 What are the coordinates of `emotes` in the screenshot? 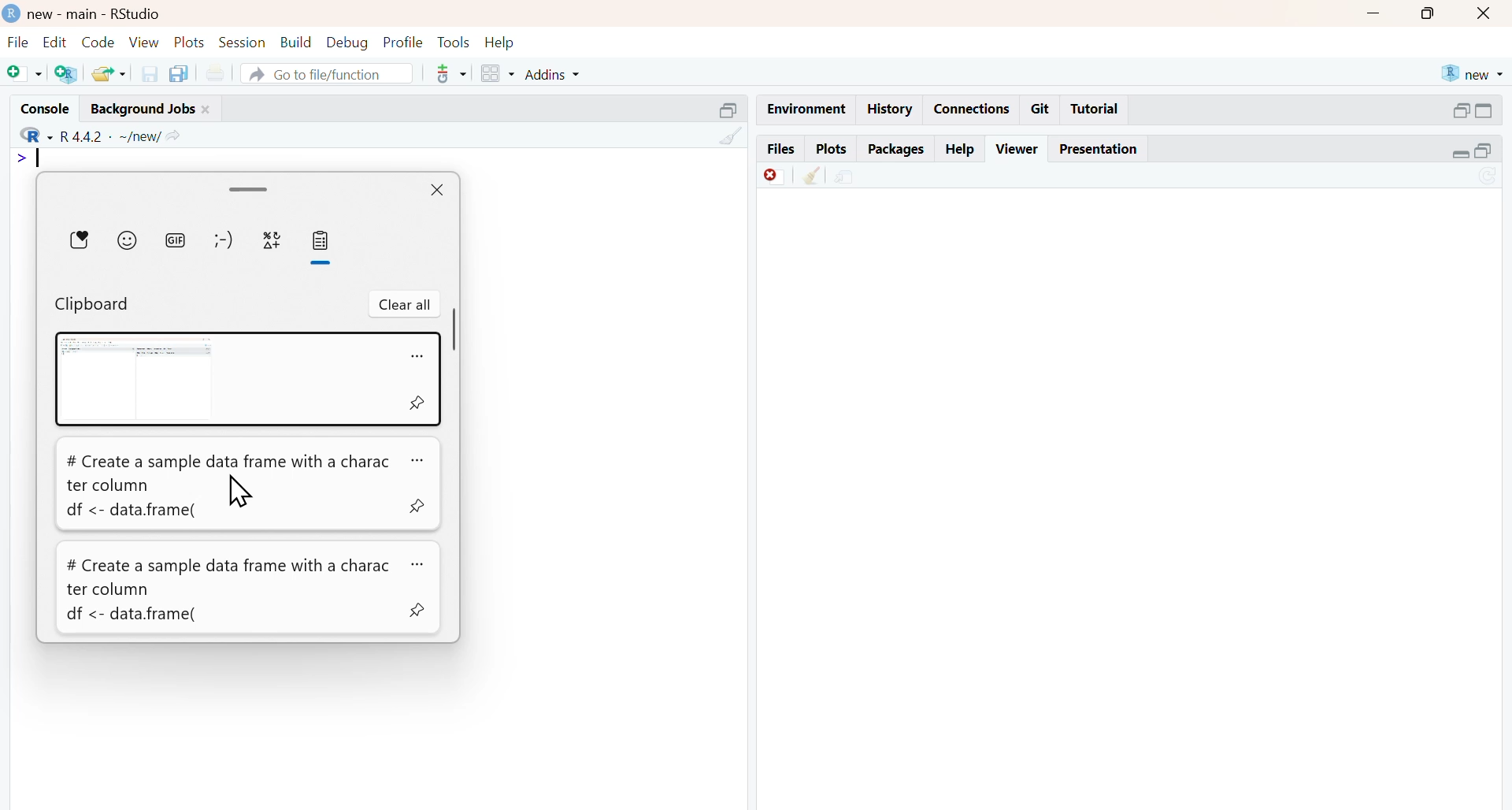 It's located at (224, 241).